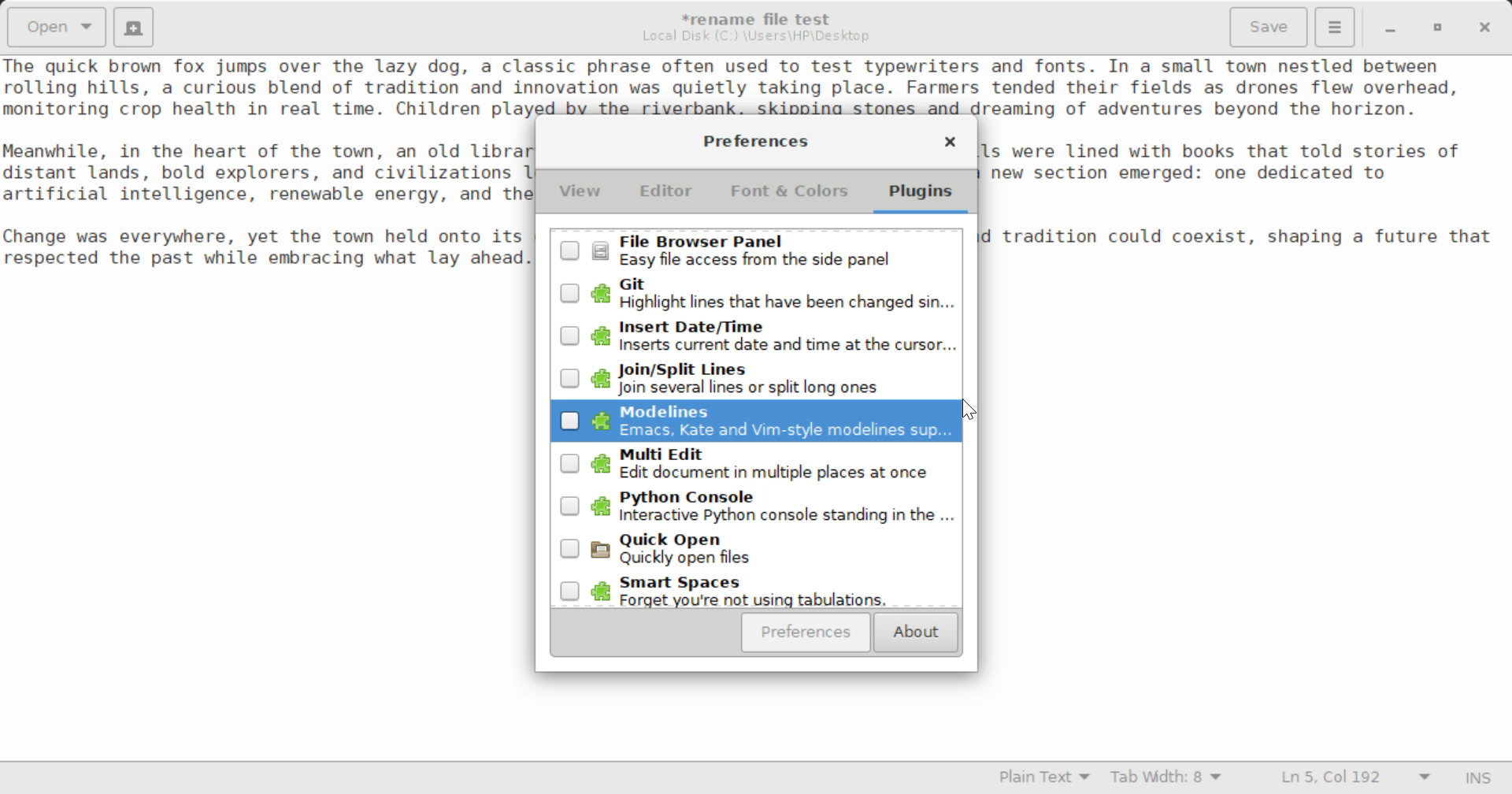  Describe the element at coordinates (1334, 25) in the screenshot. I see `Menu` at that location.